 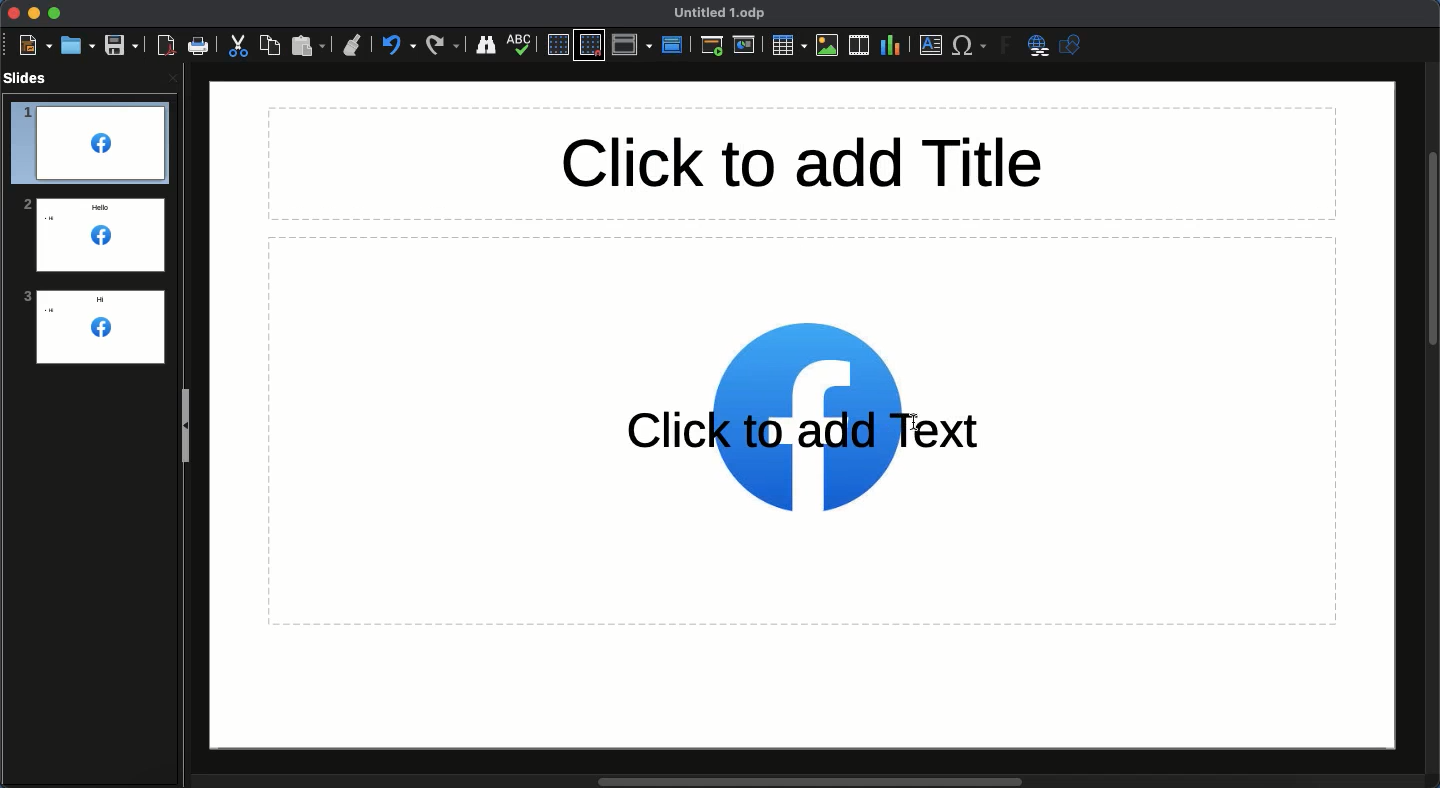 What do you see at coordinates (75, 46) in the screenshot?
I see `Open` at bounding box center [75, 46].